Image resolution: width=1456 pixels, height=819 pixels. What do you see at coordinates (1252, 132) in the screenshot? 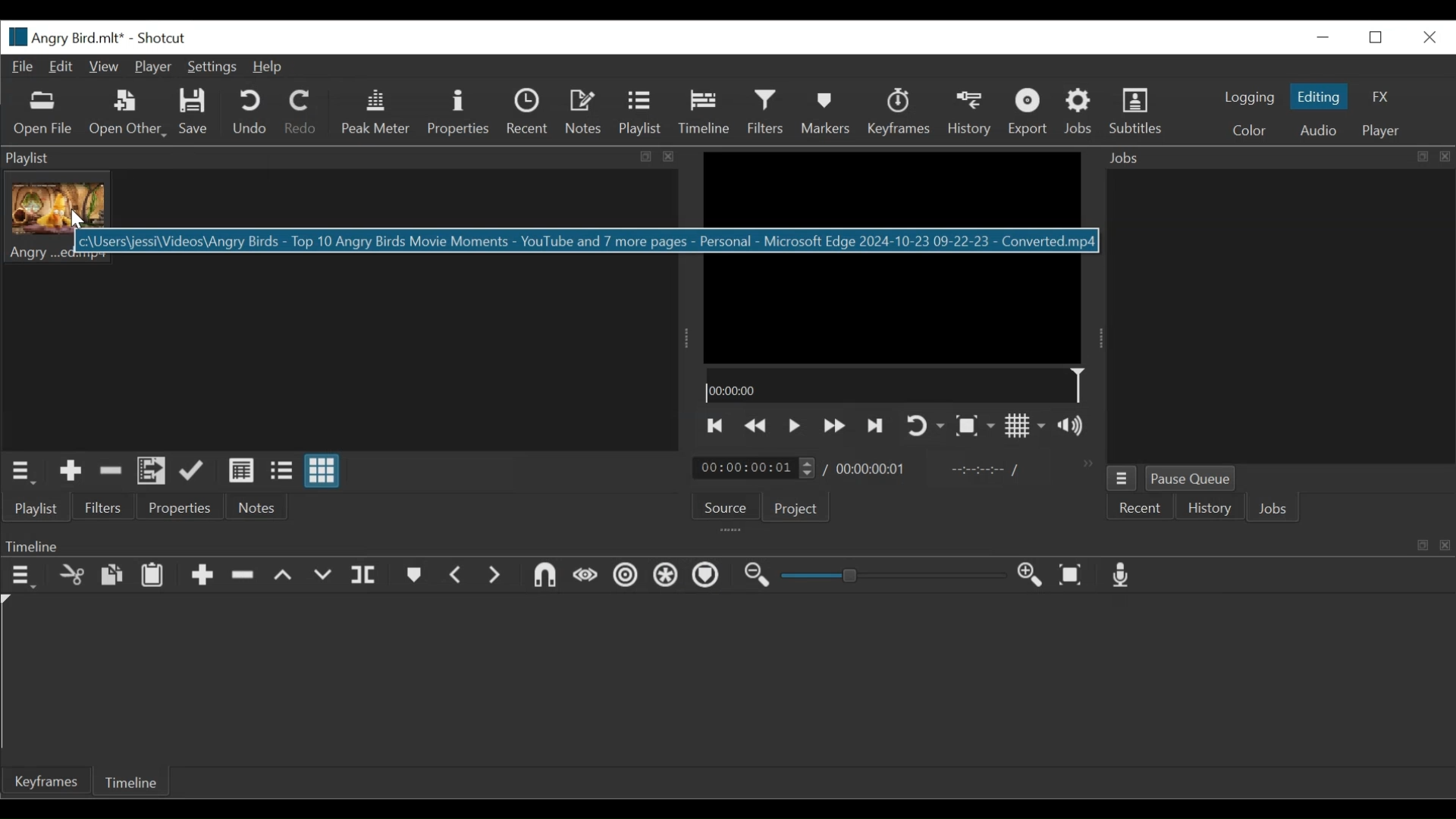
I see `Color` at bounding box center [1252, 132].